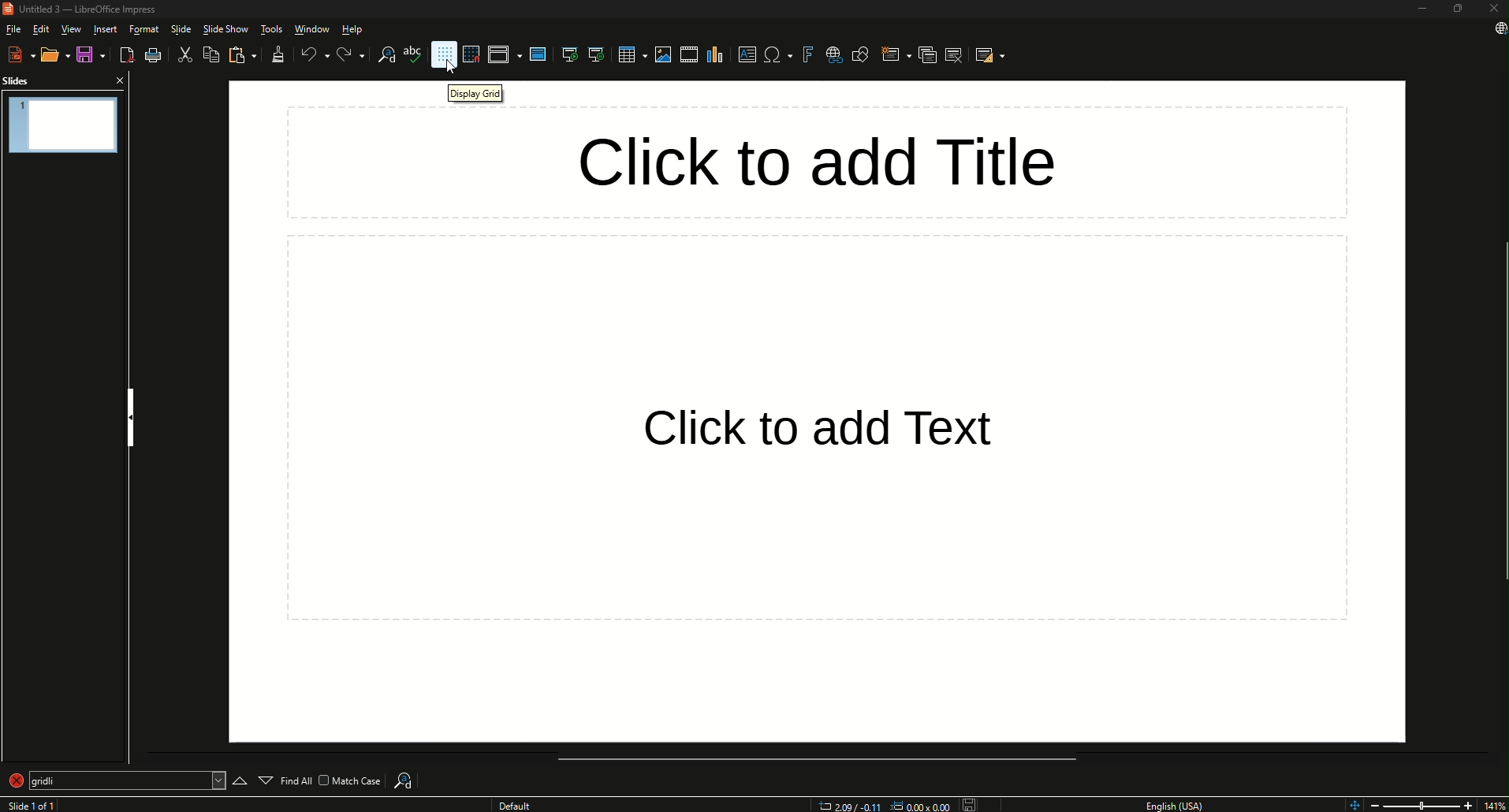  Describe the element at coordinates (805, 56) in the screenshot. I see `Insert fontwork text` at that location.